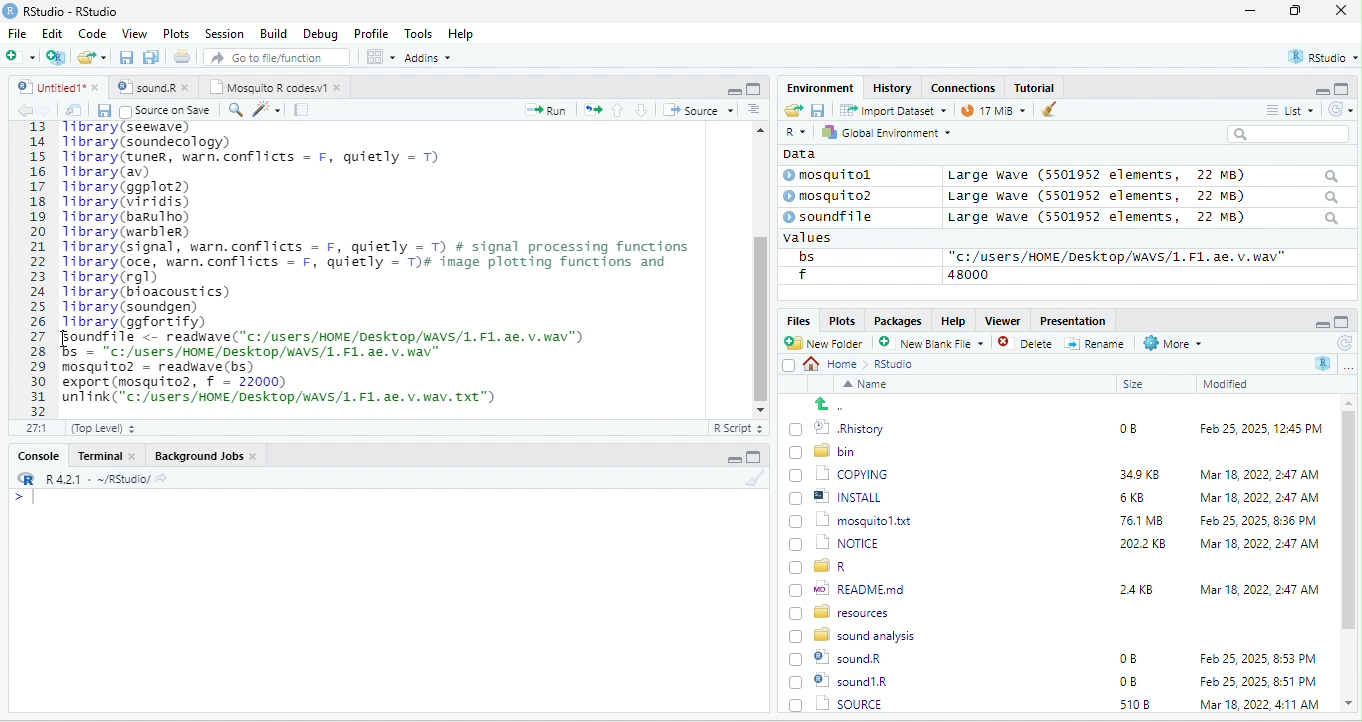  Describe the element at coordinates (830, 567) in the screenshot. I see `[) = R` at that location.